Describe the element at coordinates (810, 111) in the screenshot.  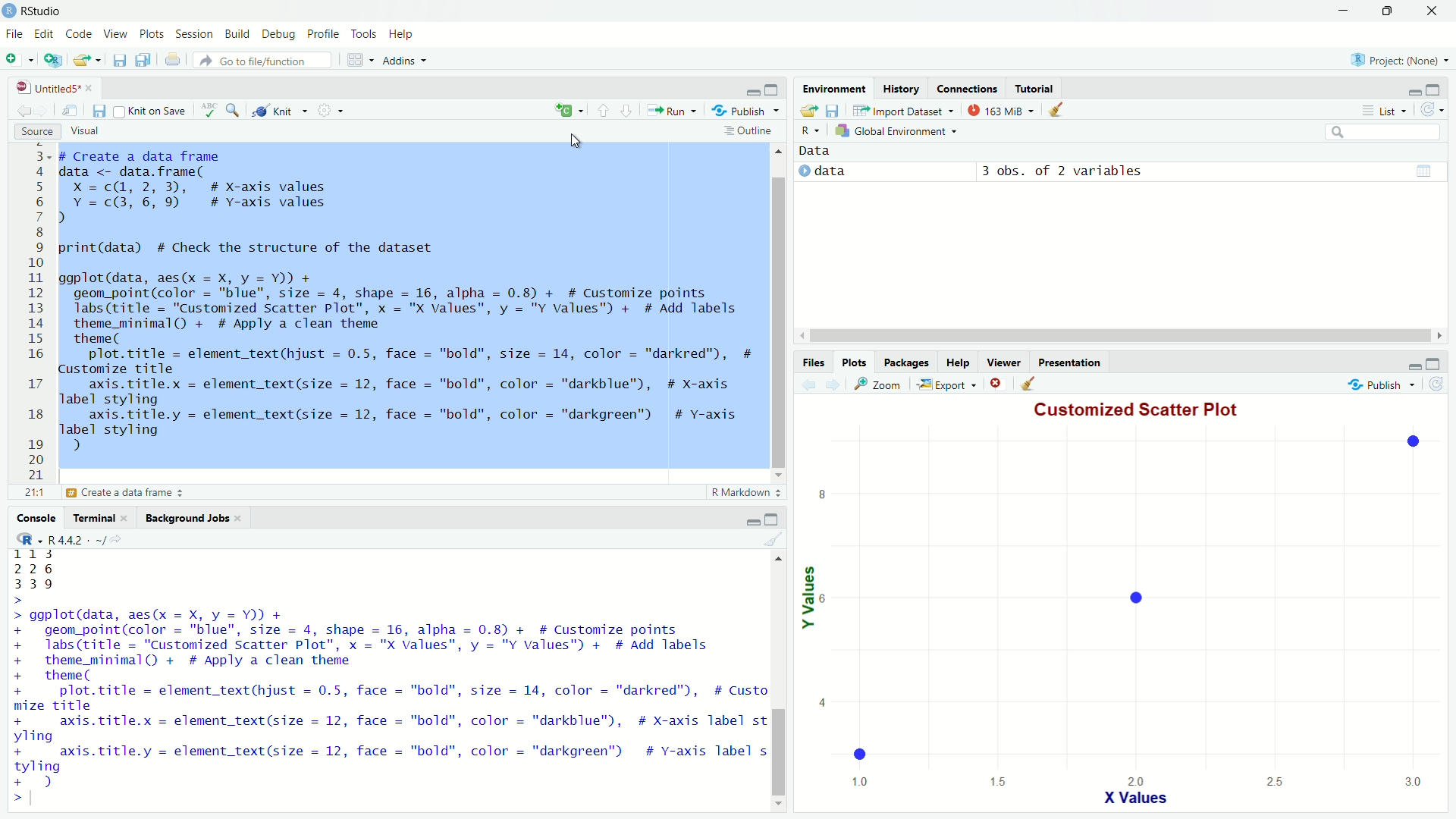
I see `Load Workspace` at that location.